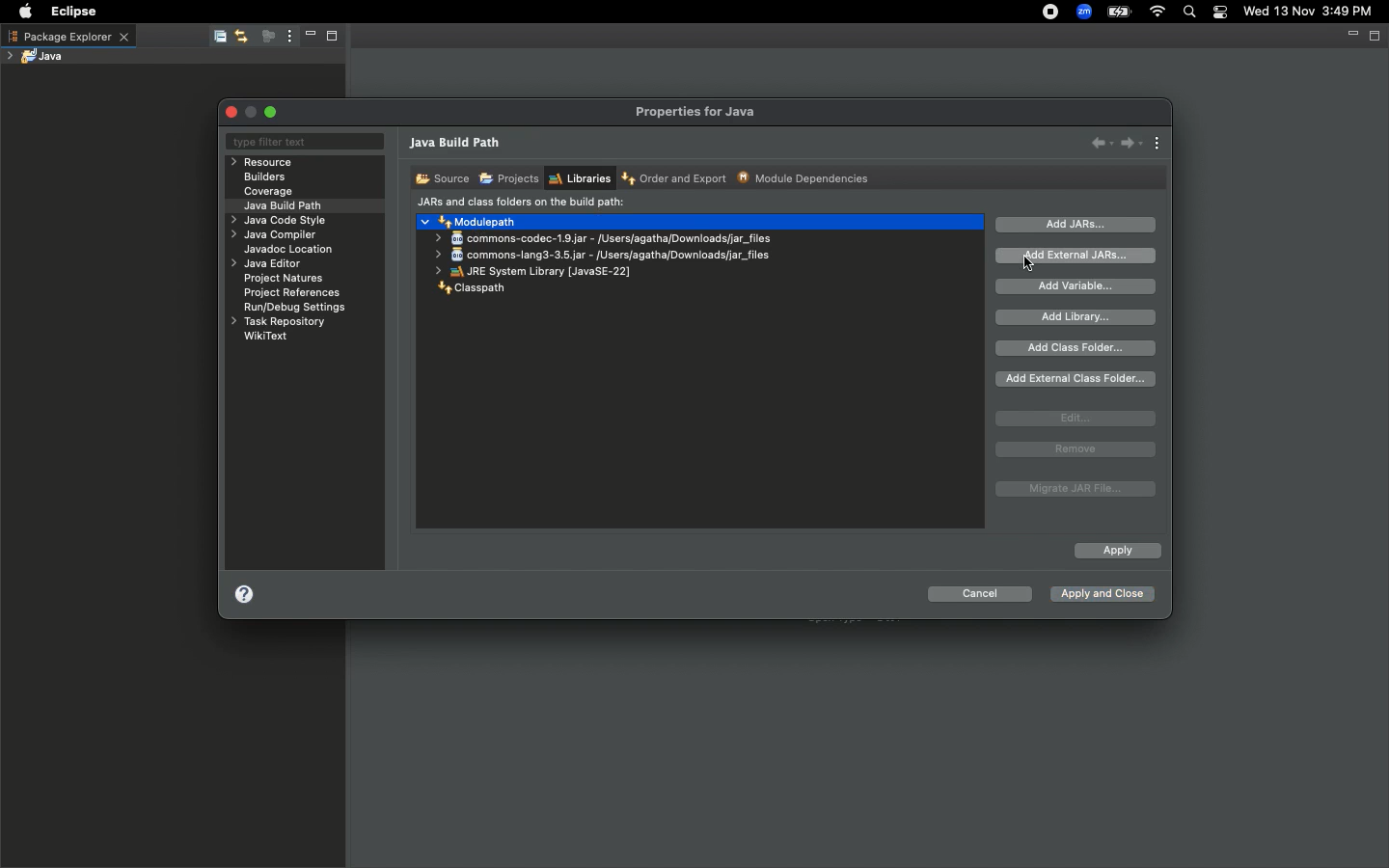  What do you see at coordinates (1080, 286) in the screenshot?
I see `Add variable` at bounding box center [1080, 286].